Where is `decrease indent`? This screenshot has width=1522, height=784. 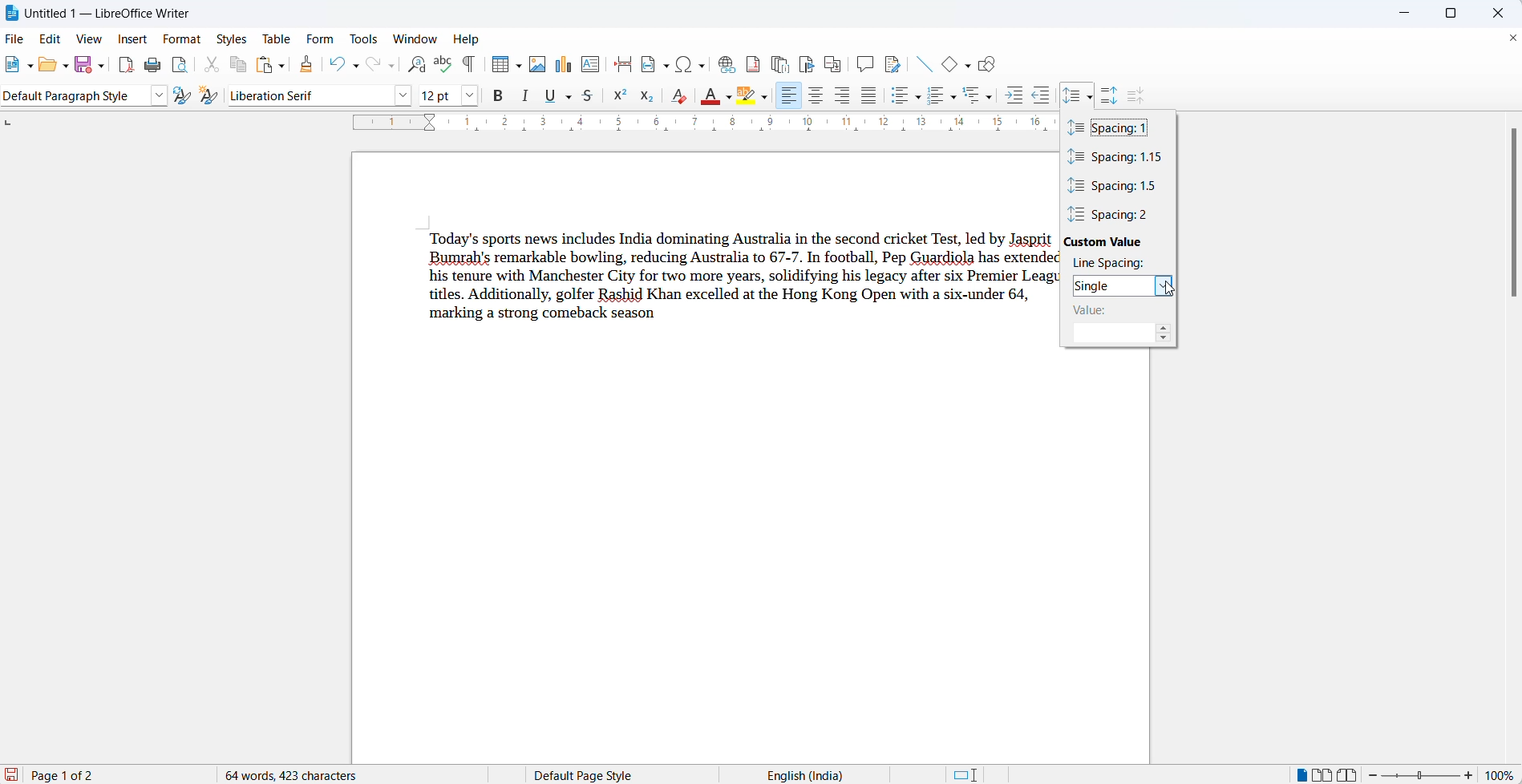
decrease indent is located at coordinates (1045, 96).